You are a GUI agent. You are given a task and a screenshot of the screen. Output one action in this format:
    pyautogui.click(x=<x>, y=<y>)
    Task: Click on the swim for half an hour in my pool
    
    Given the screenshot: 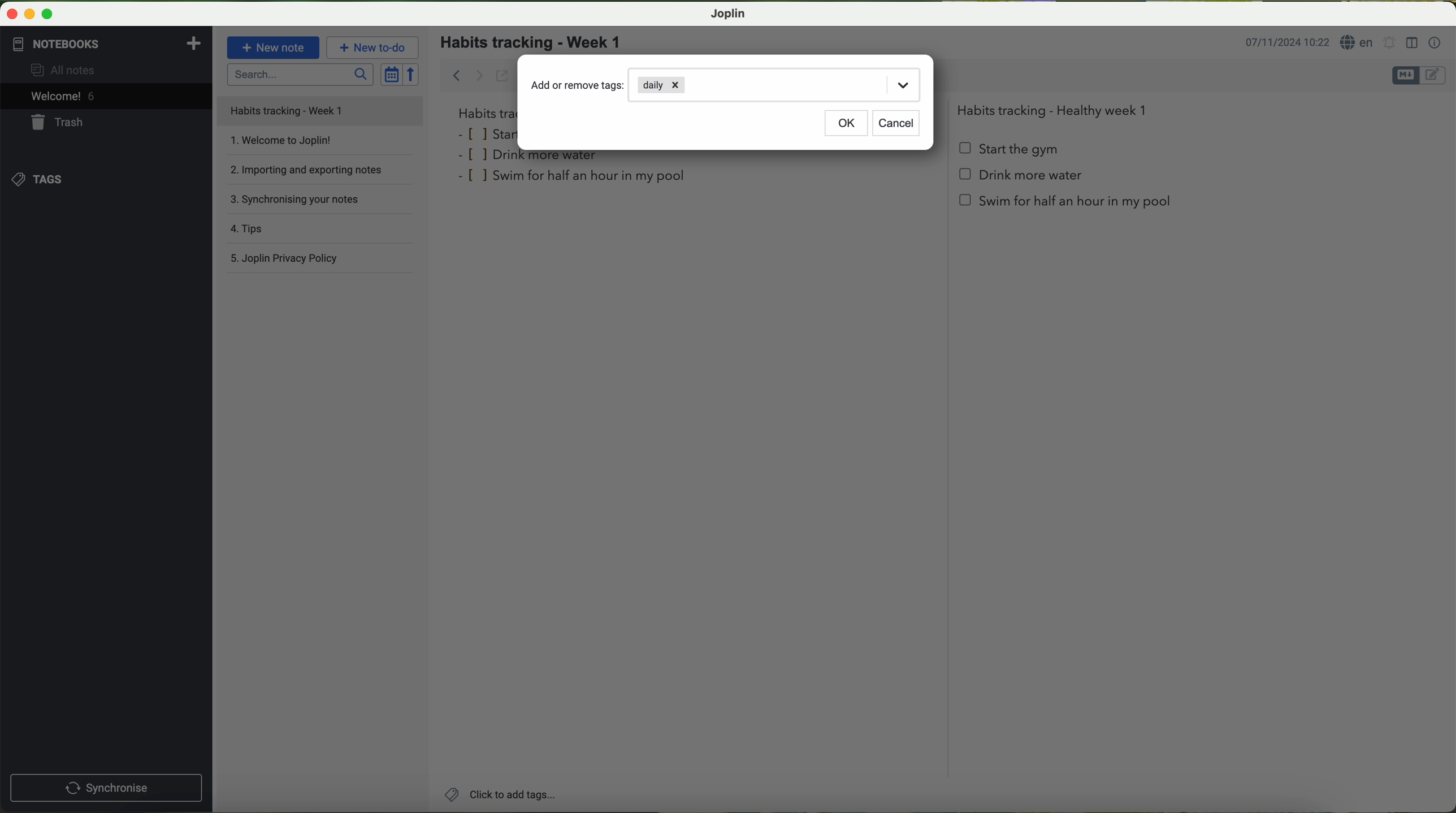 What is the action you would take?
    pyautogui.click(x=1067, y=205)
    